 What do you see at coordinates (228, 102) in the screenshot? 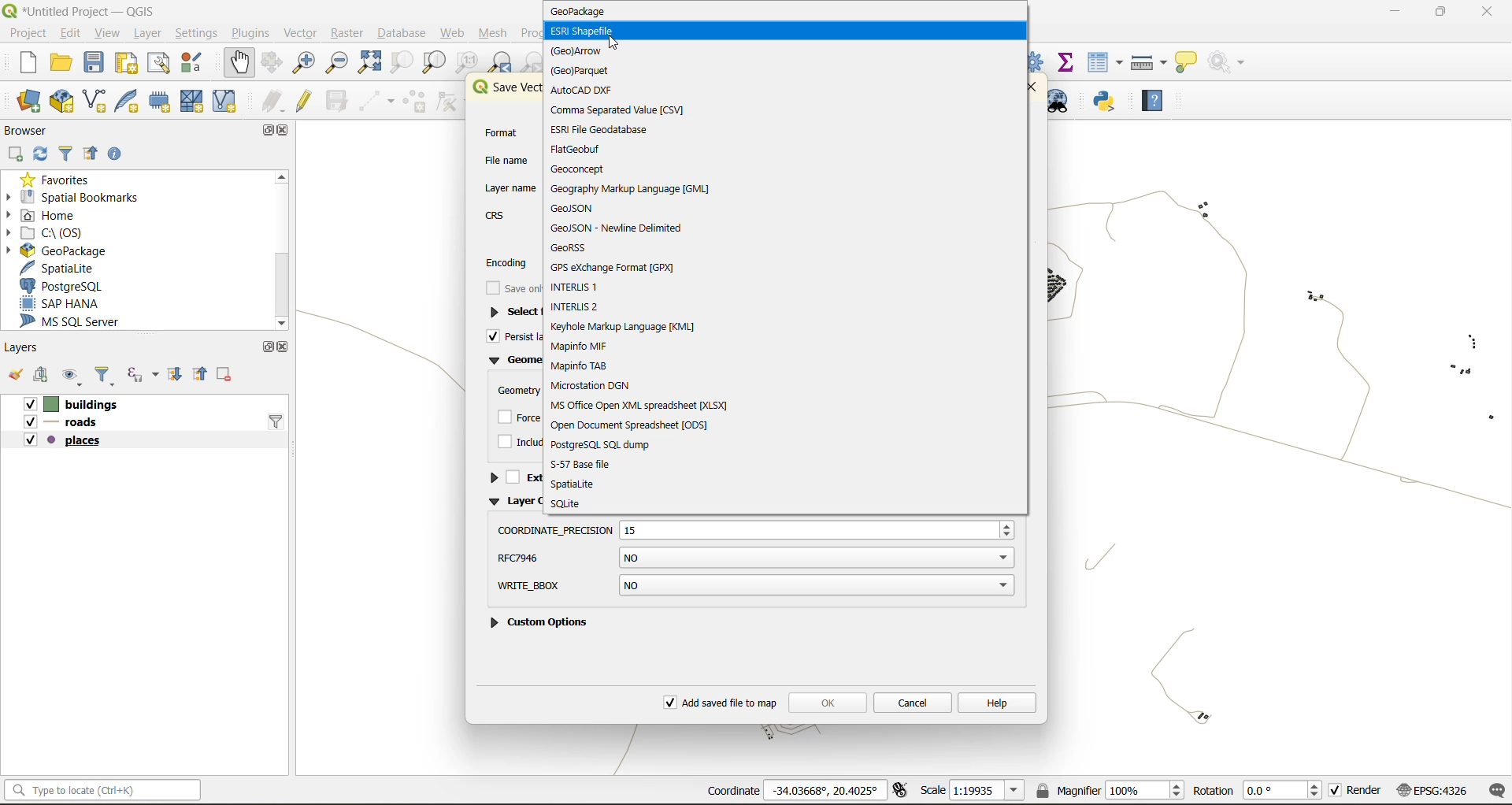
I see `new virtual layer` at bounding box center [228, 102].